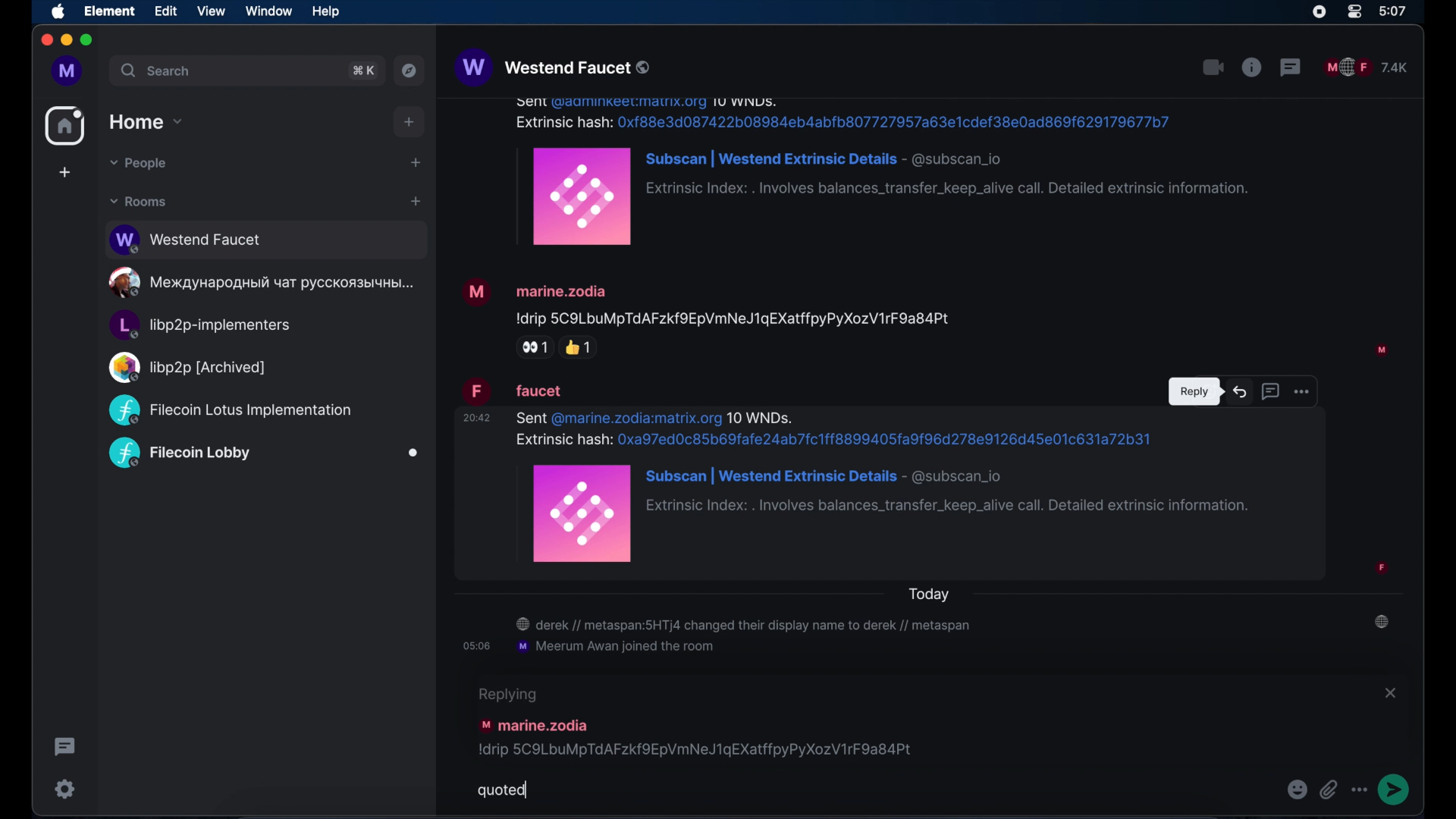 The height and width of the screenshot is (819, 1456). Describe the element at coordinates (1194, 393) in the screenshot. I see `tooltip` at that location.